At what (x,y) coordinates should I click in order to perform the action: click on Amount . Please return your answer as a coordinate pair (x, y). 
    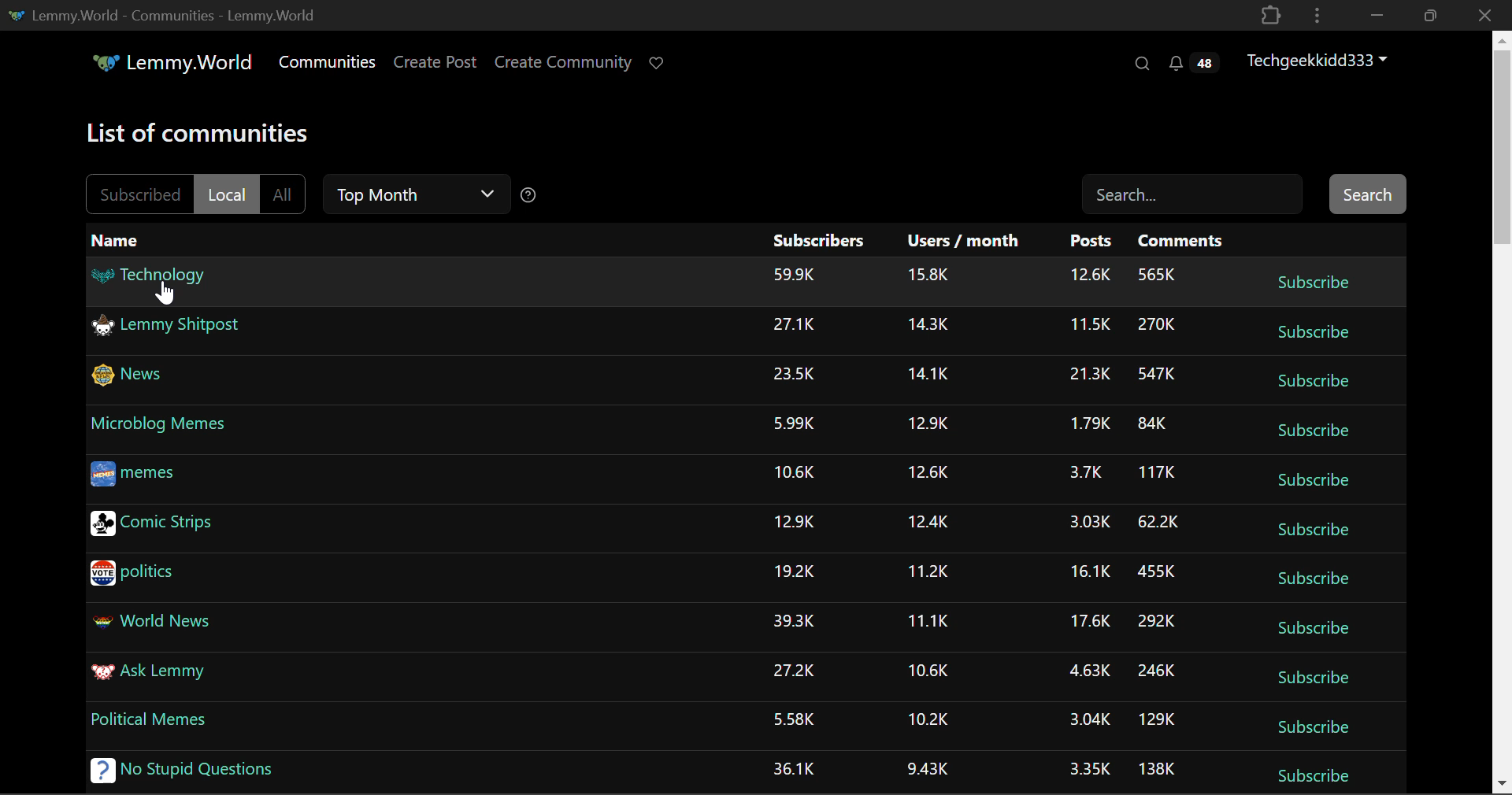
    Looking at the image, I should click on (795, 767).